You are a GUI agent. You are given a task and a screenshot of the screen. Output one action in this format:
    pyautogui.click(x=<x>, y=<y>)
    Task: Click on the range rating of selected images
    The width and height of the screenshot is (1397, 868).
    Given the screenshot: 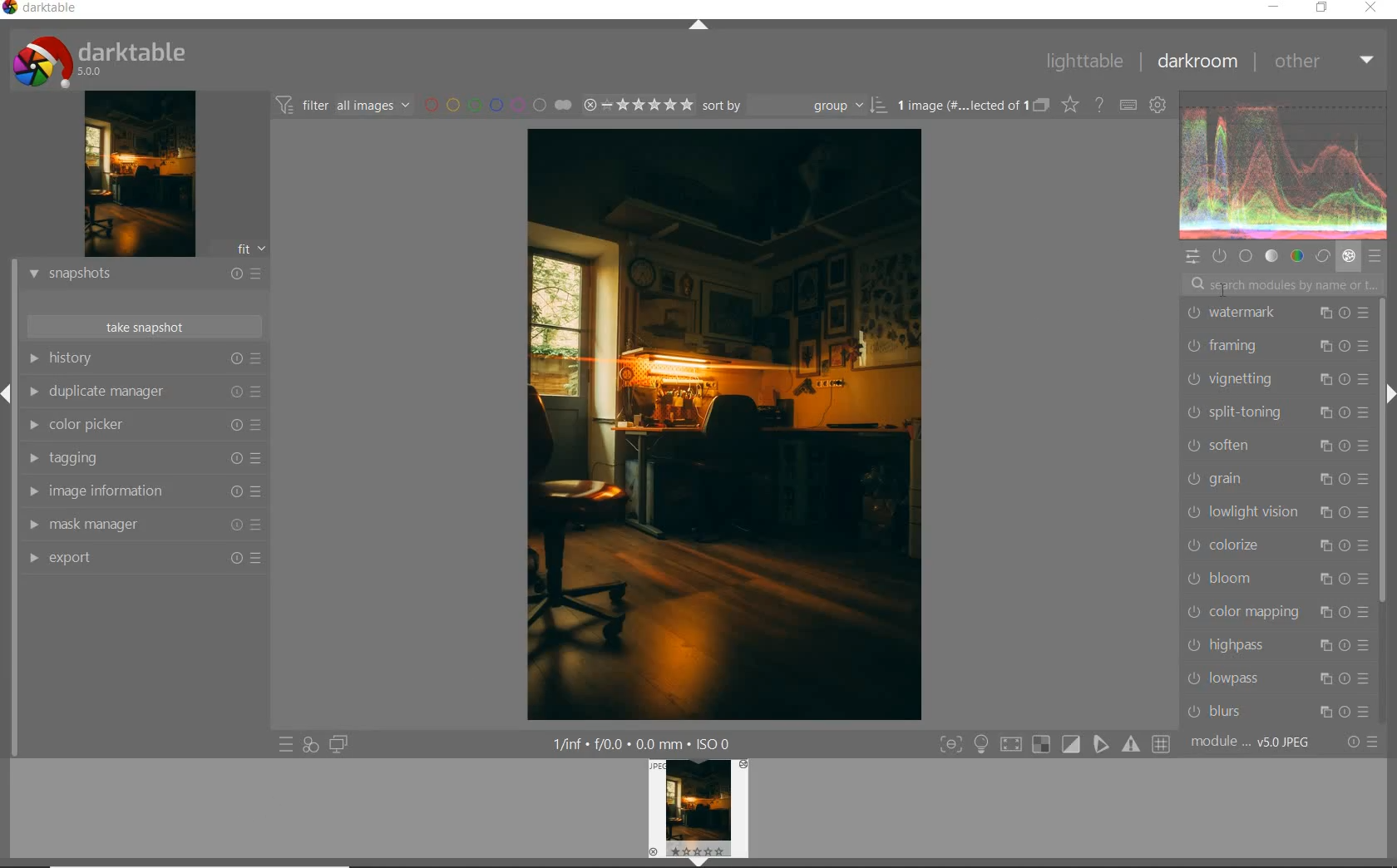 What is the action you would take?
    pyautogui.click(x=638, y=106)
    